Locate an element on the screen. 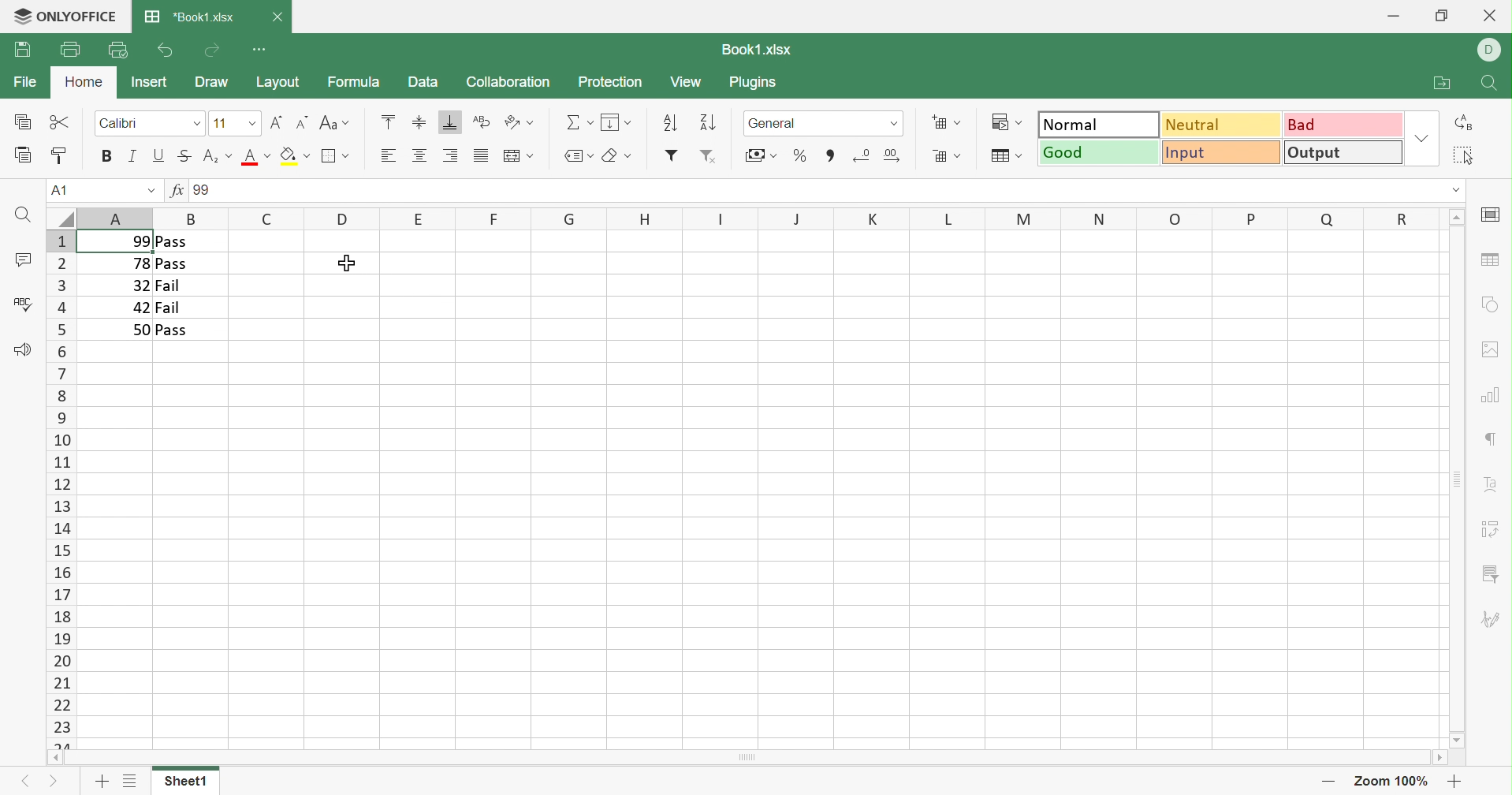 The height and width of the screenshot is (795, 1512). Draw is located at coordinates (210, 82).